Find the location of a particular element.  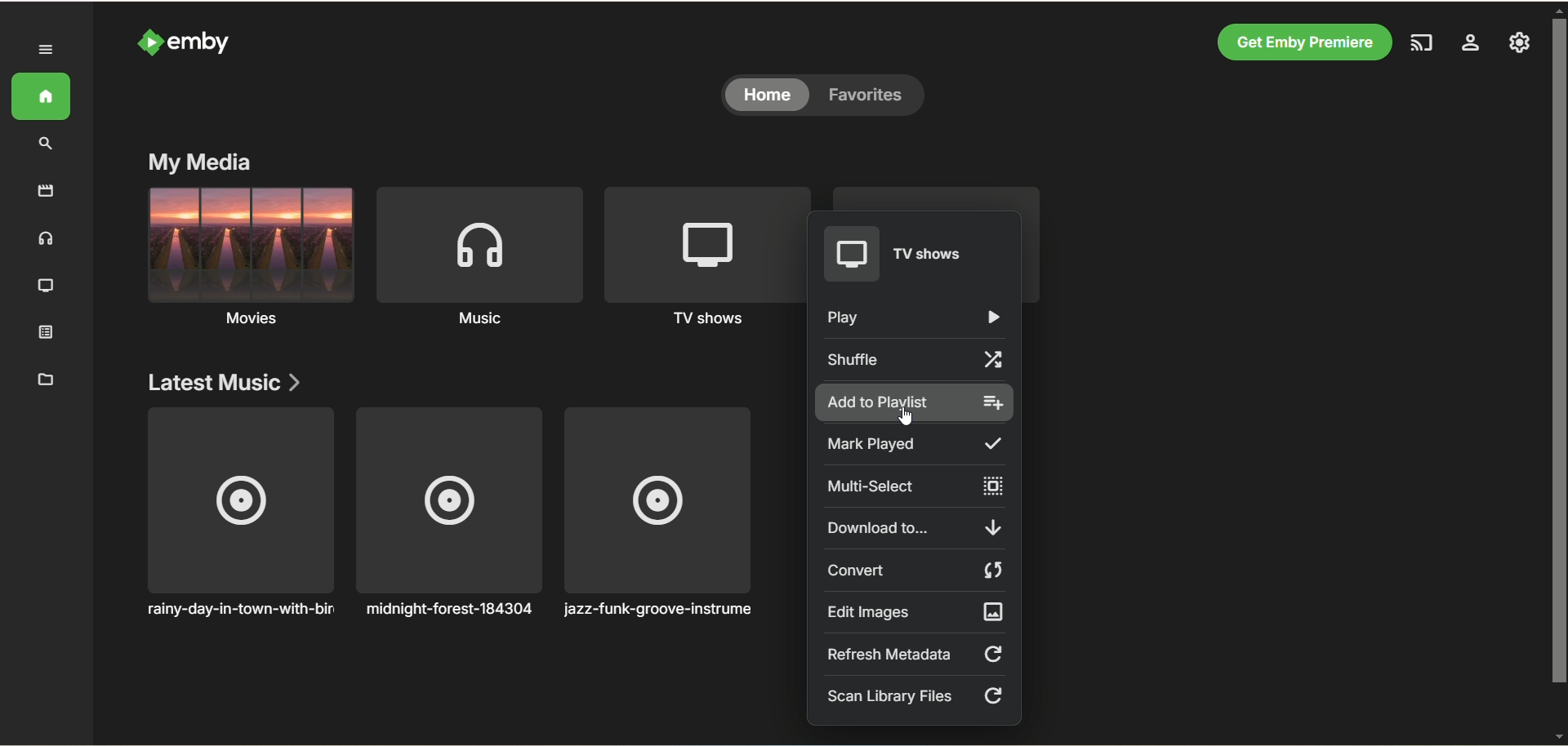

home is located at coordinates (42, 97).